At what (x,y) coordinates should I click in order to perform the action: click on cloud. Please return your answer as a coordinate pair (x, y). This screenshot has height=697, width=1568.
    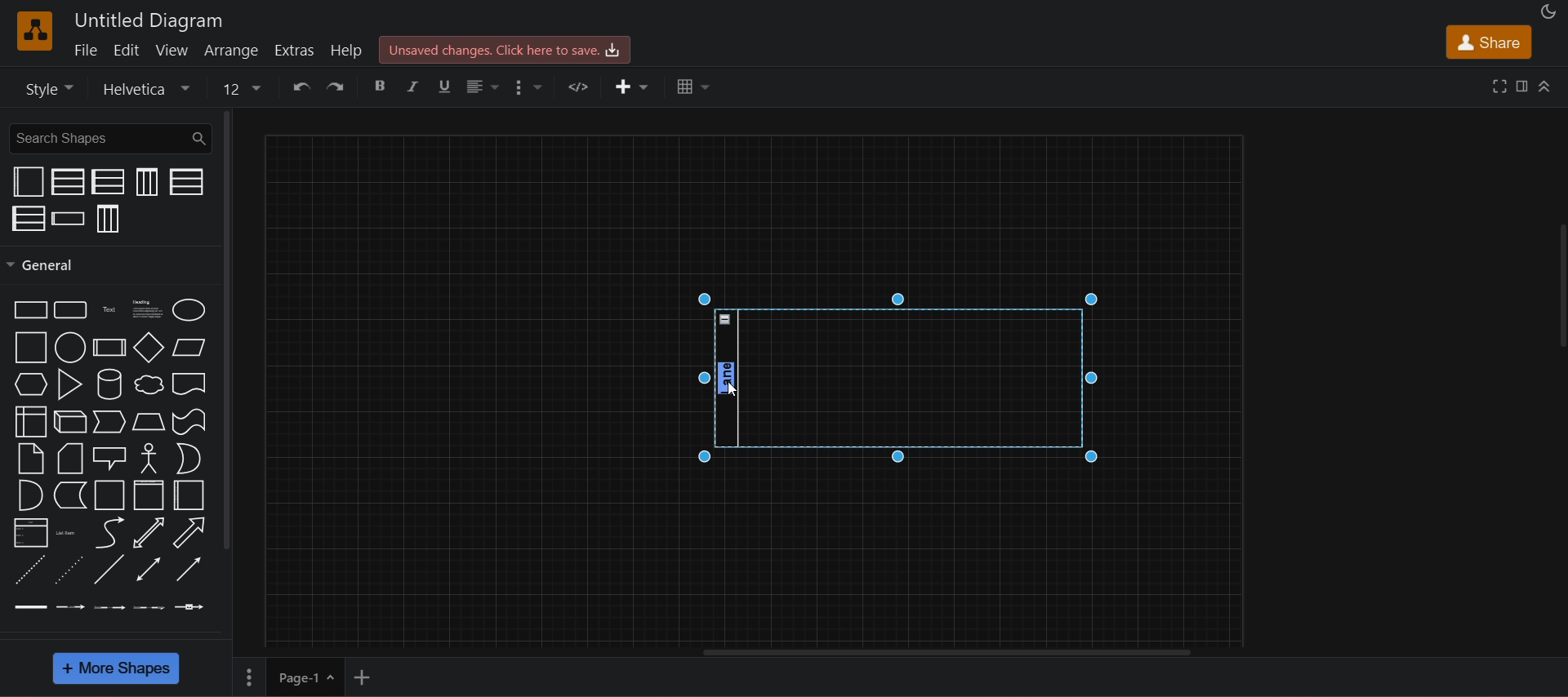
    Looking at the image, I should click on (150, 384).